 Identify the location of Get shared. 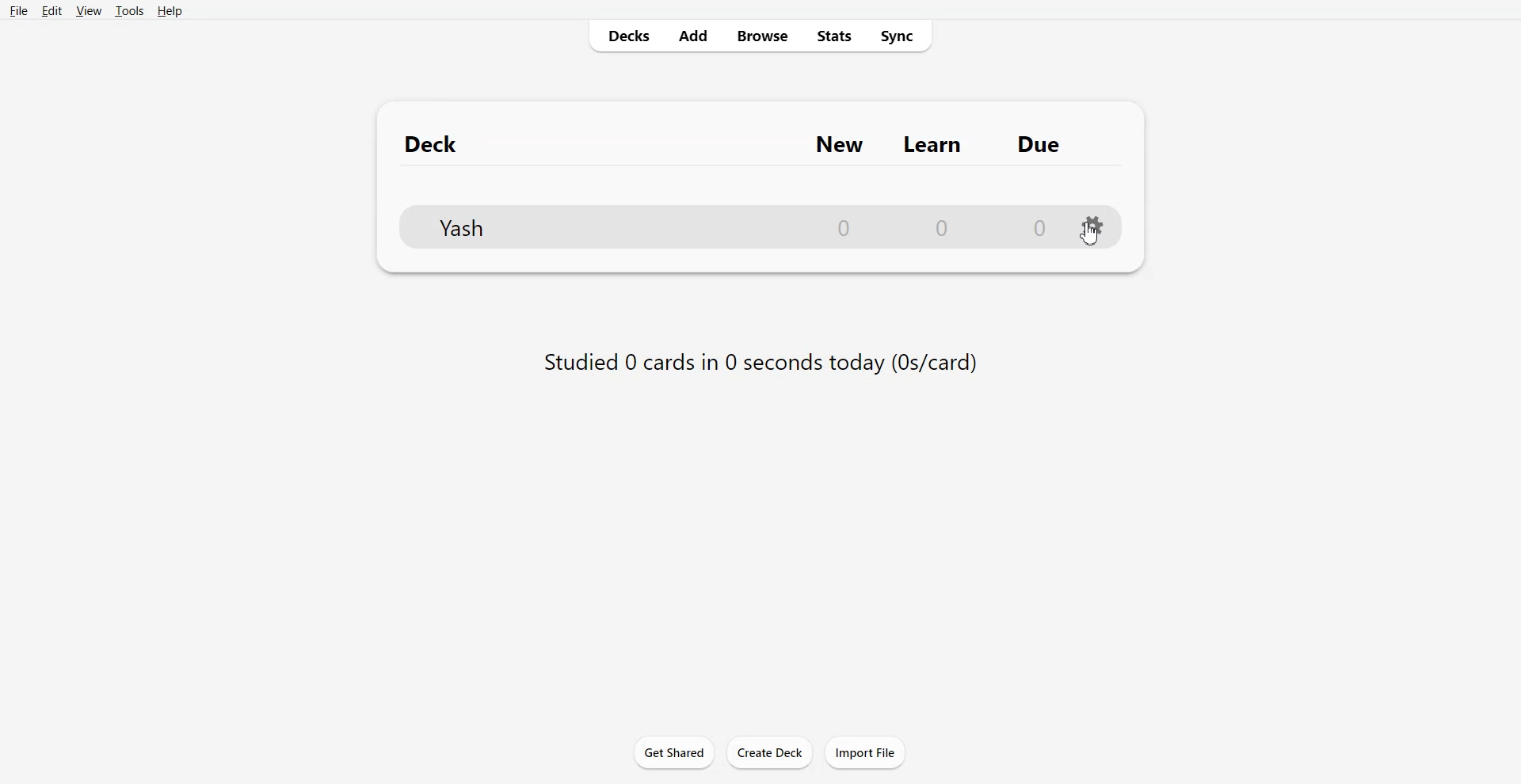
(673, 752).